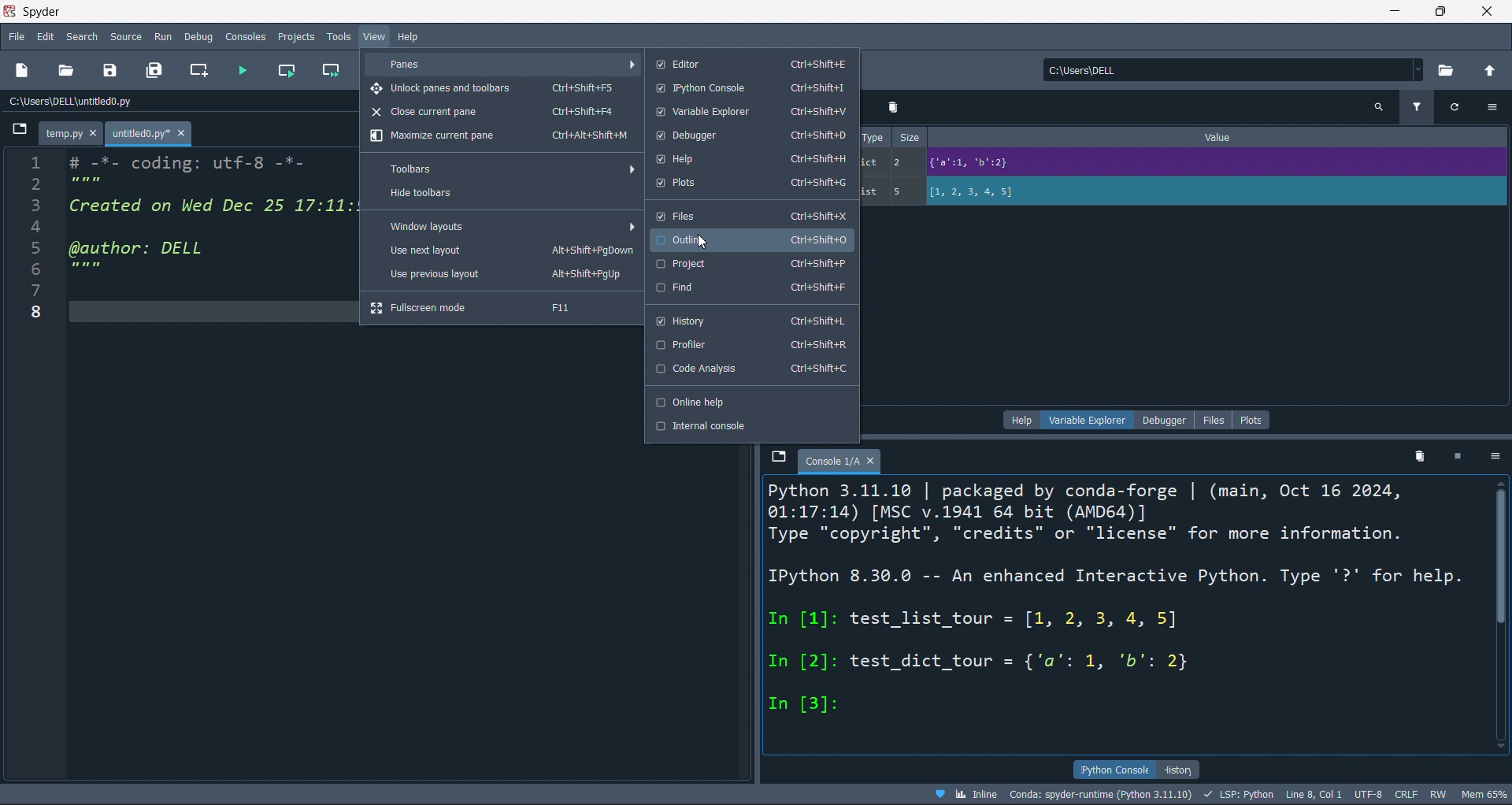 The height and width of the screenshot is (805, 1512). I want to click on edit, so click(44, 35).